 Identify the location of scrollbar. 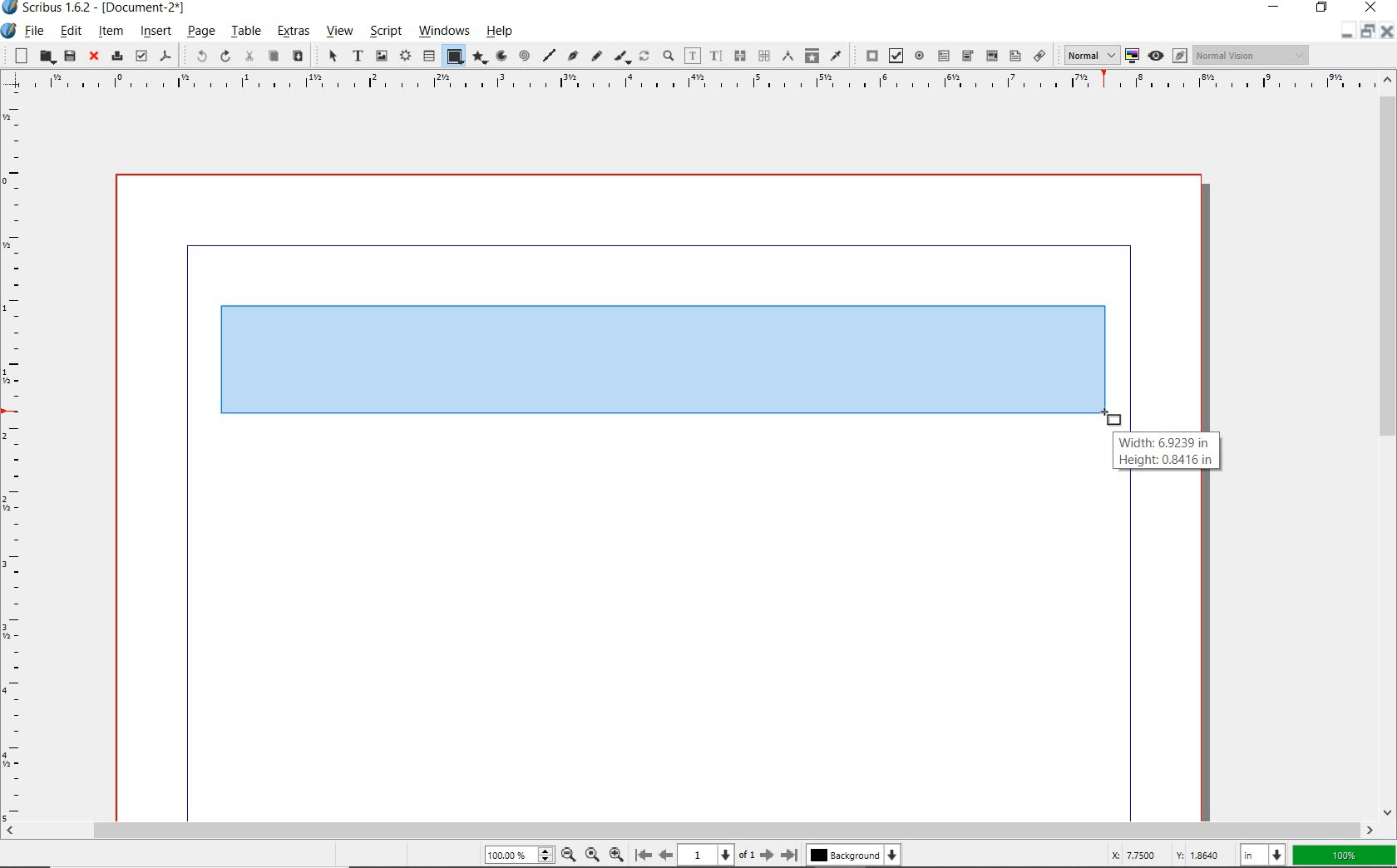
(1389, 445).